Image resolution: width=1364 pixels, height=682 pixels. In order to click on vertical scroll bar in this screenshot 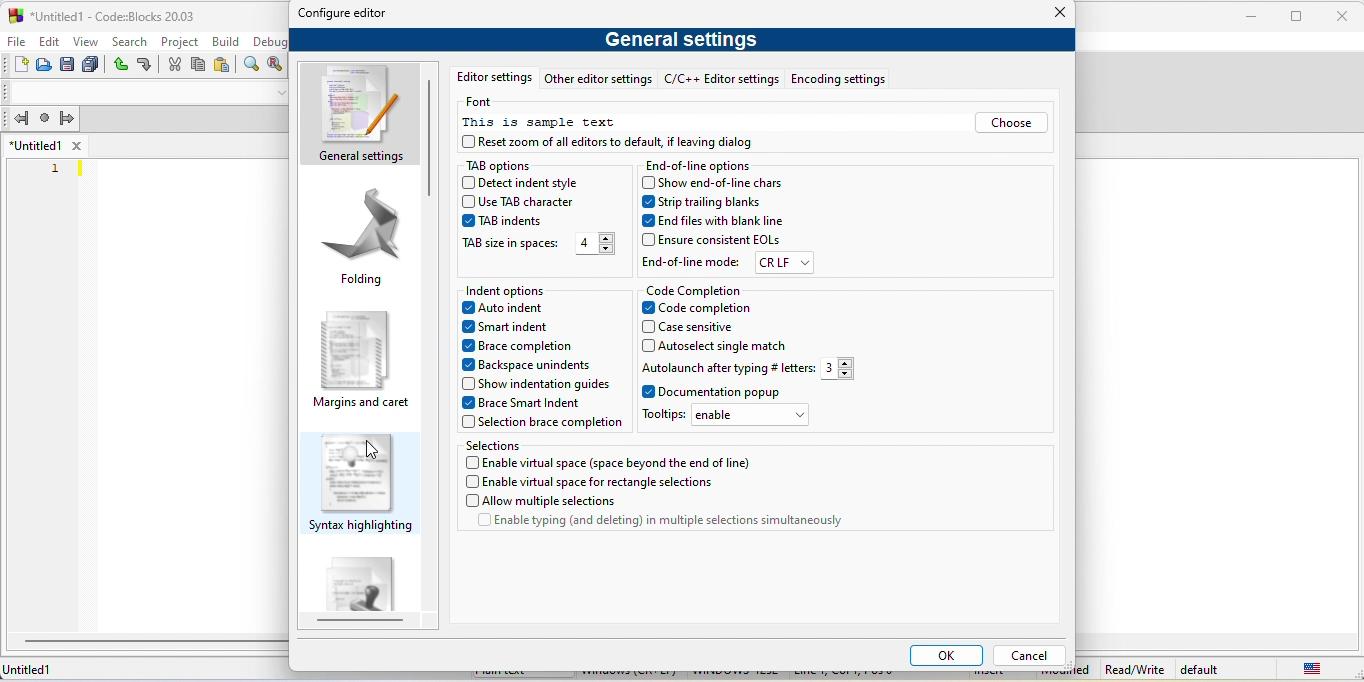, I will do `click(435, 135)`.